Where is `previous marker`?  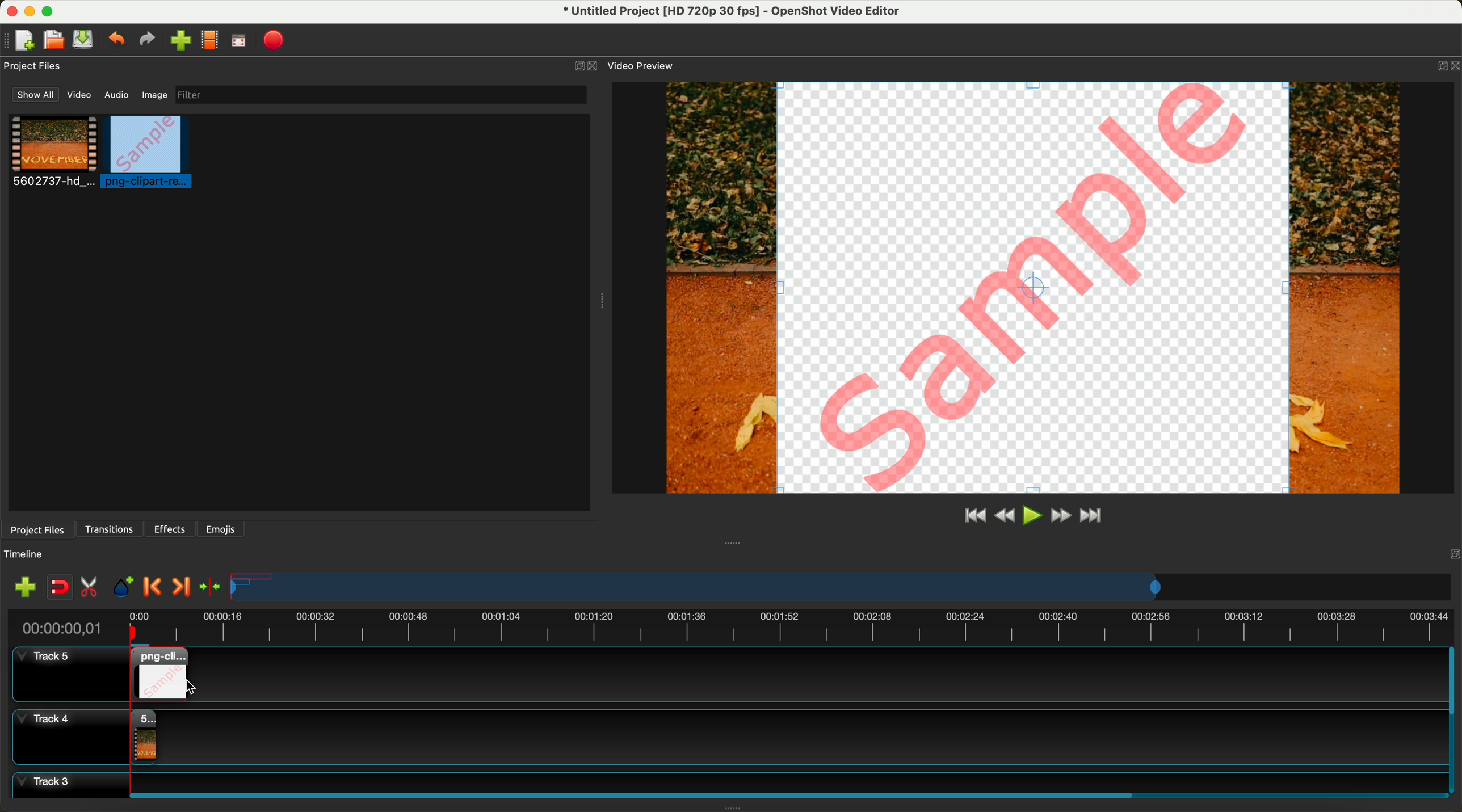
previous marker is located at coordinates (156, 587).